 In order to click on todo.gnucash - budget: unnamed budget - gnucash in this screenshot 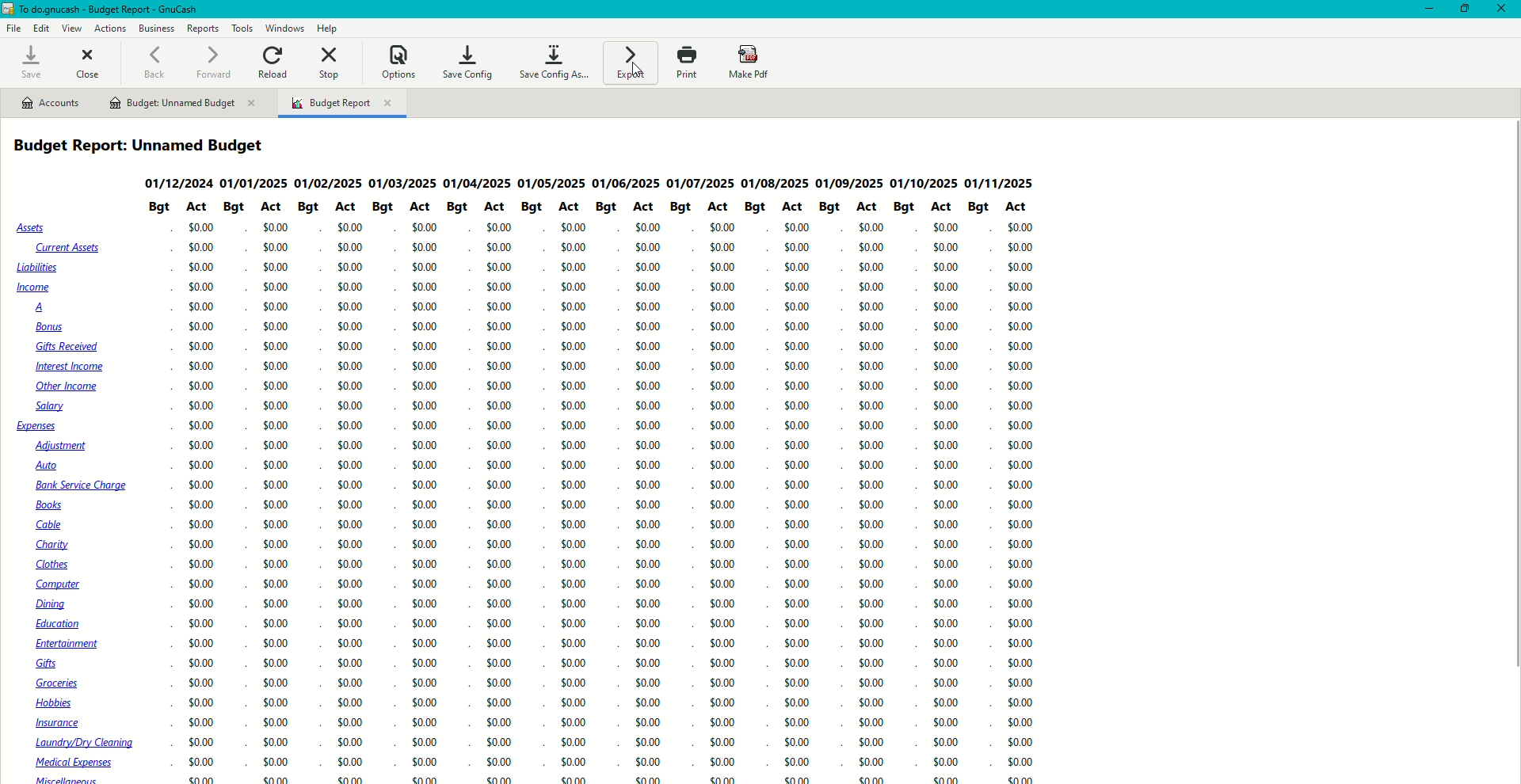, I will do `click(131, 10)`.